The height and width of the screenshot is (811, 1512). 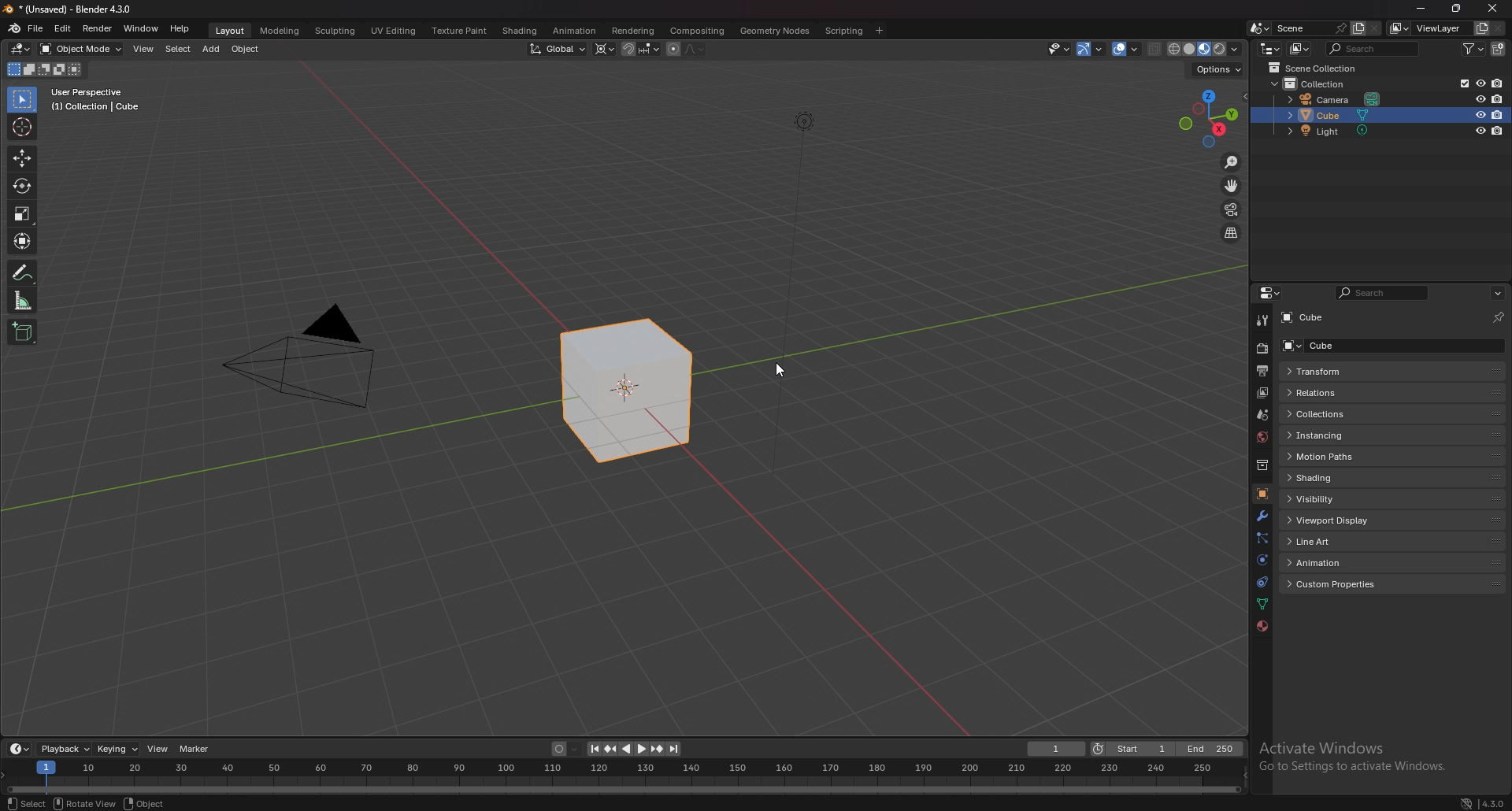 What do you see at coordinates (280, 30) in the screenshot?
I see `modeling` at bounding box center [280, 30].